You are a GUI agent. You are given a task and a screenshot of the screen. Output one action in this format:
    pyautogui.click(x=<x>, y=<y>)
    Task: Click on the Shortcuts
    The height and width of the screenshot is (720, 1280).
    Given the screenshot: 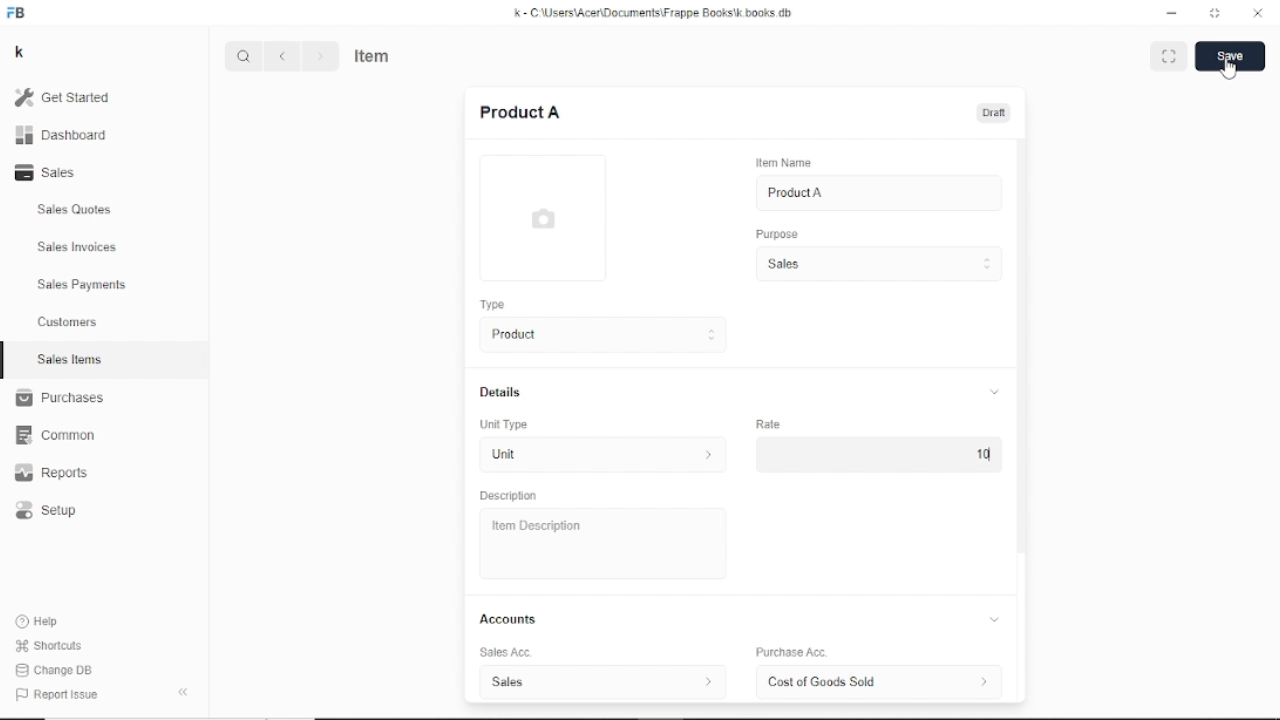 What is the action you would take?
    pyautogui.click(x=51, y=647)
    